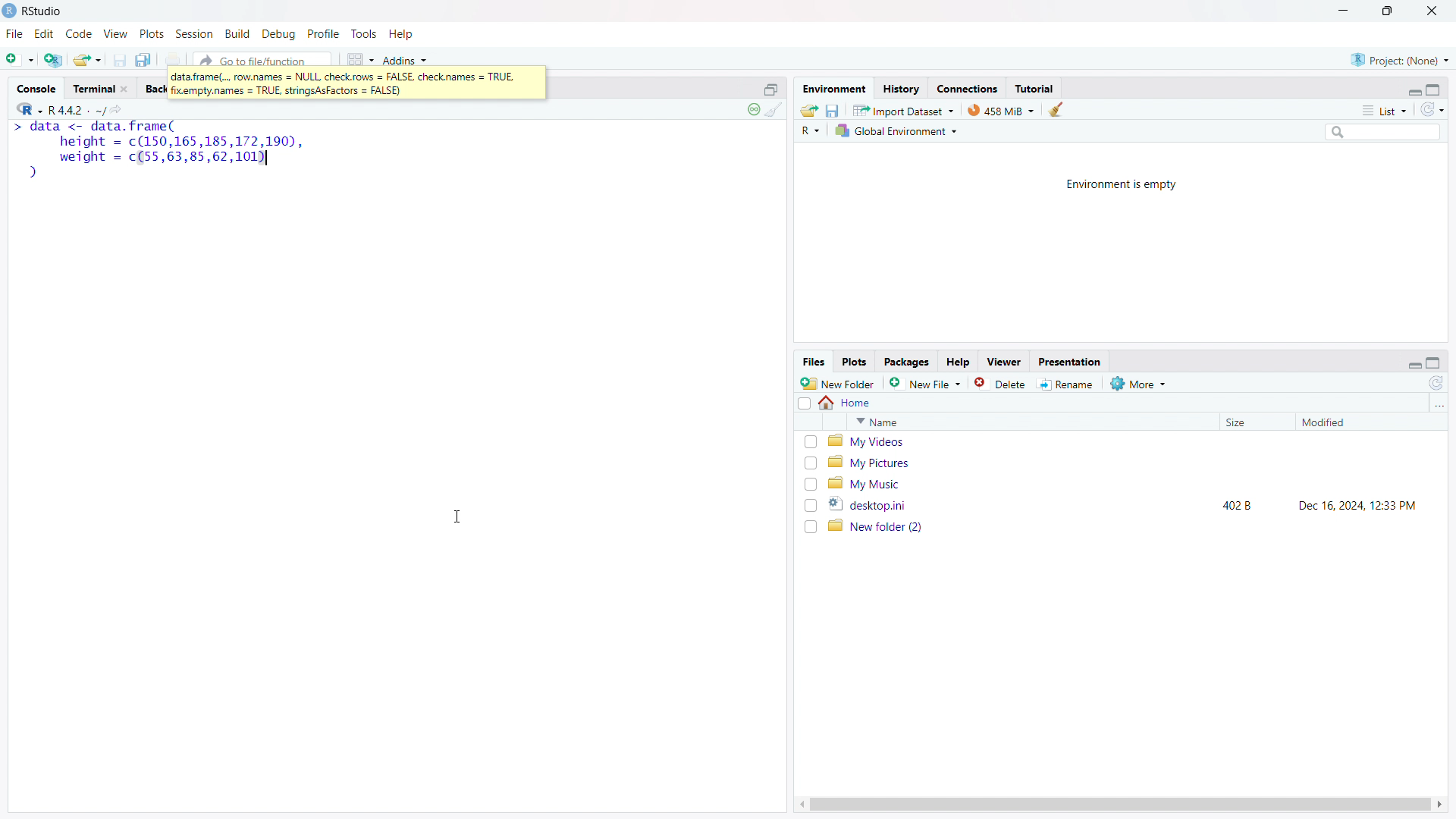 The image size is (1456, 819). What do you see at coordinates (152, 34) in the screenshot?
I see `plots` at bounding box center [152, 34].